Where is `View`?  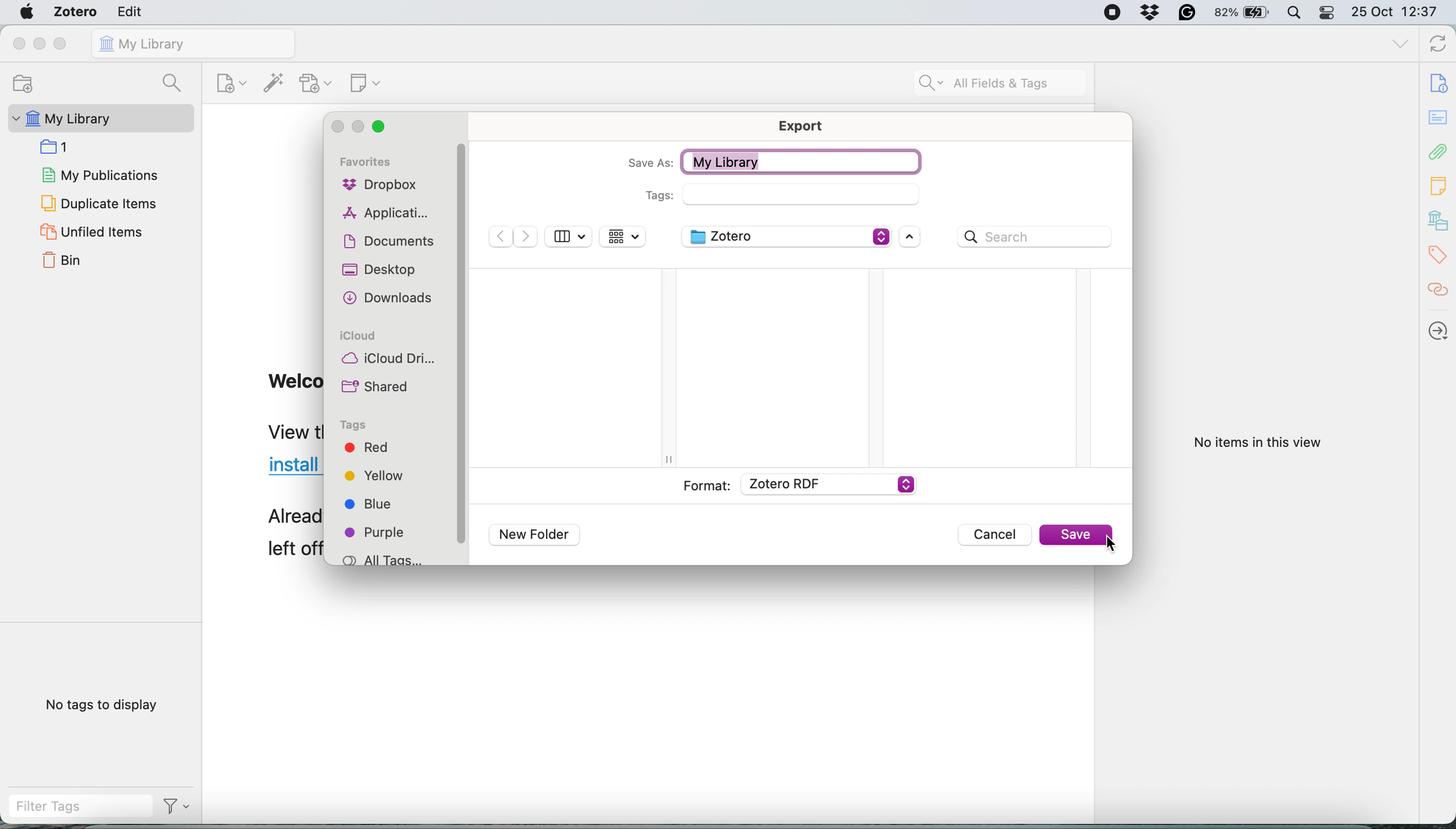
View is located at coordinates (569, 236).